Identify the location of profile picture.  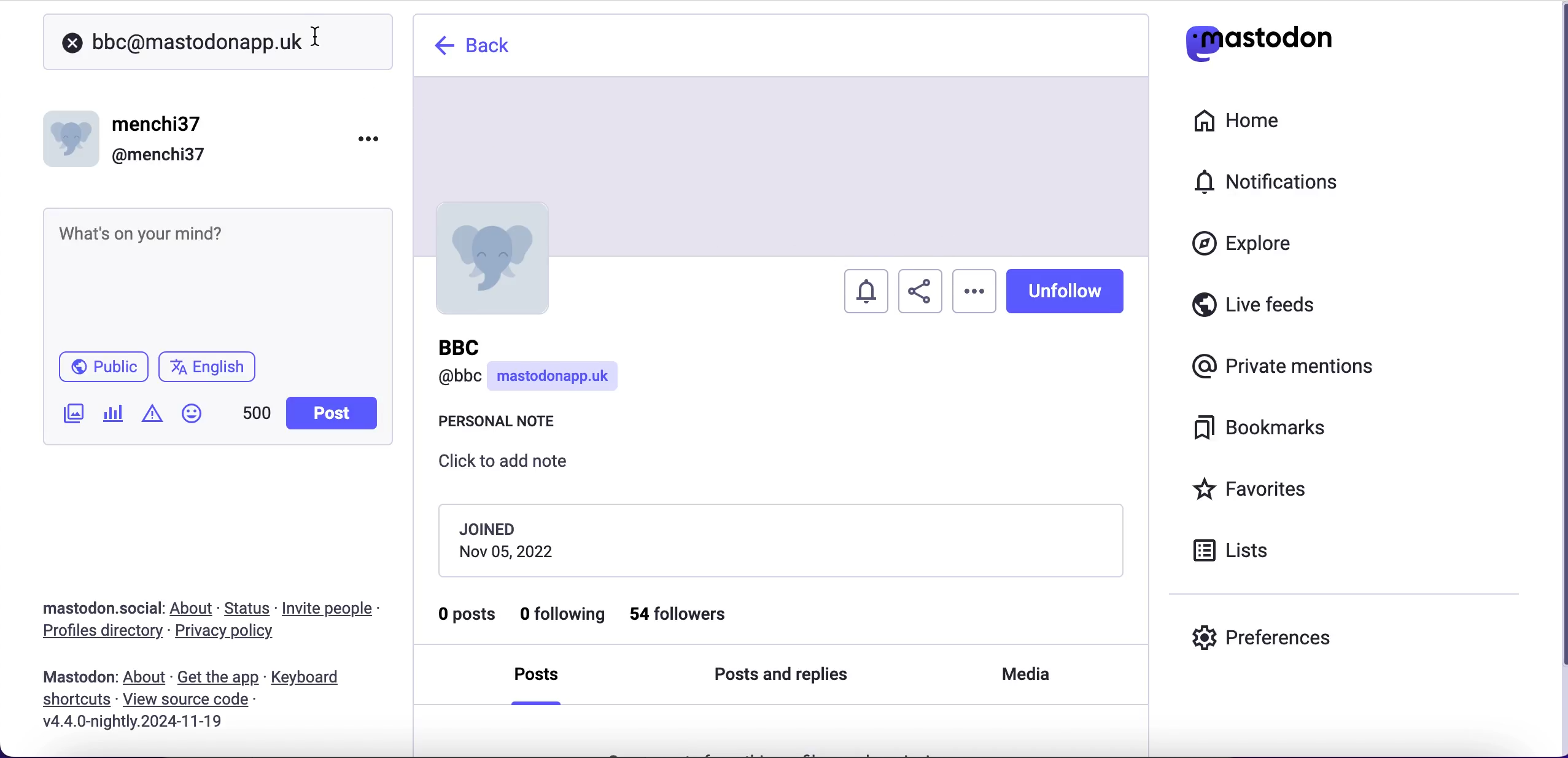
(508, 259).